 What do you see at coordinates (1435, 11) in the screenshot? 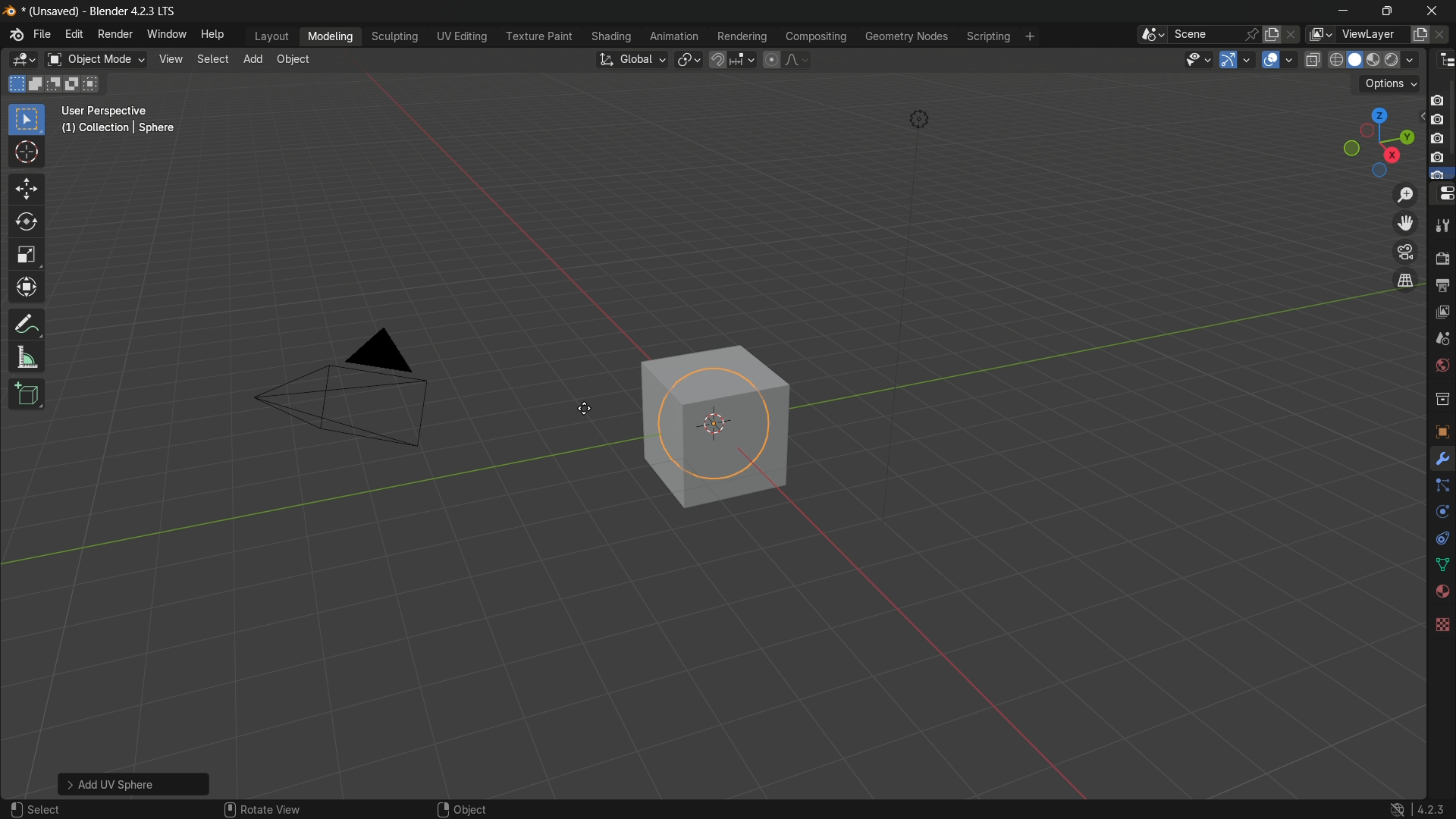
I see `close app` at bounding box center [1435, 11].